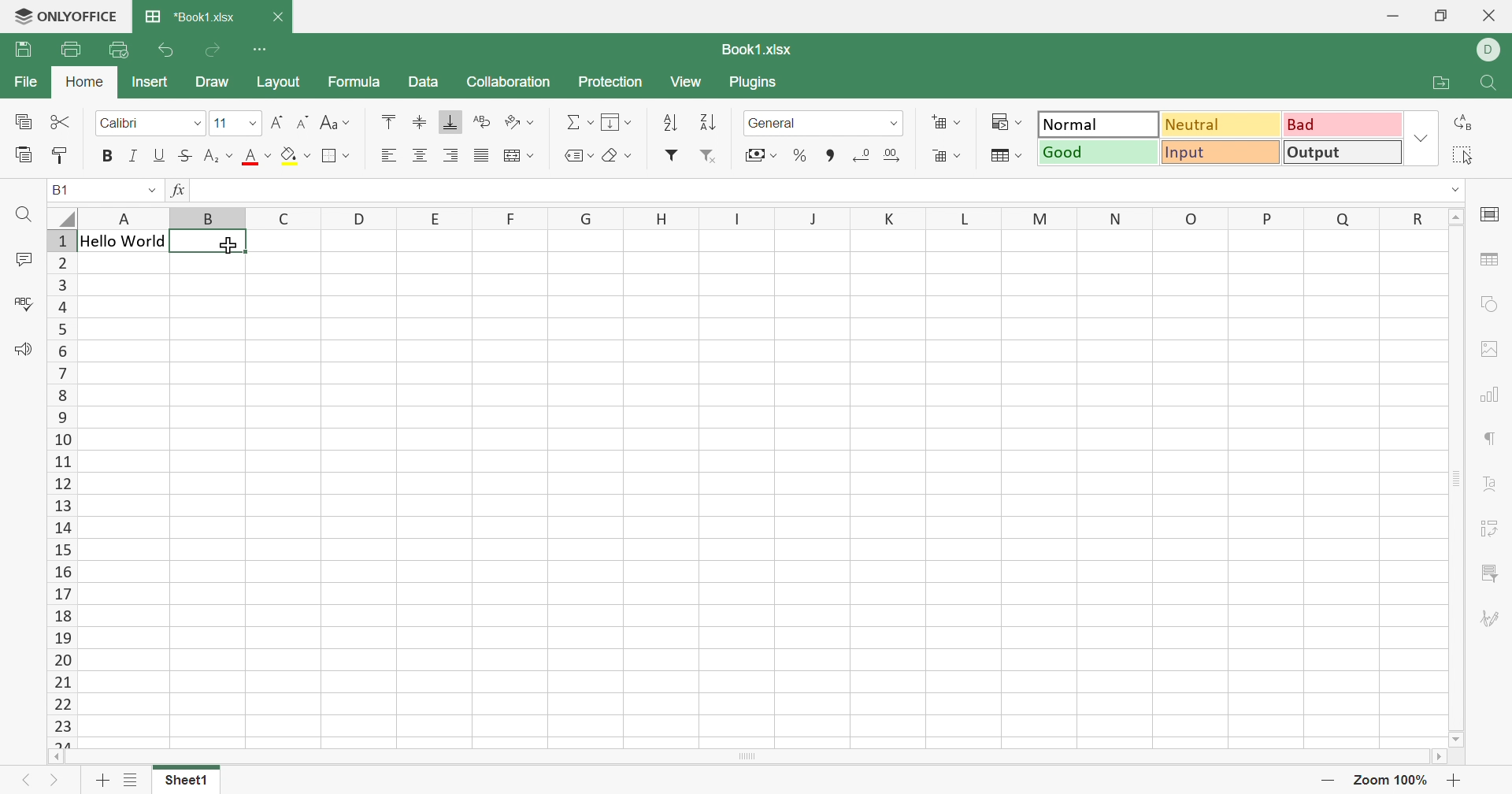 This screenshot has height=794, width=1512. Describe the element at coordinates (1004, 121) in the screenshot. I see `Conditional formatting` at that location.